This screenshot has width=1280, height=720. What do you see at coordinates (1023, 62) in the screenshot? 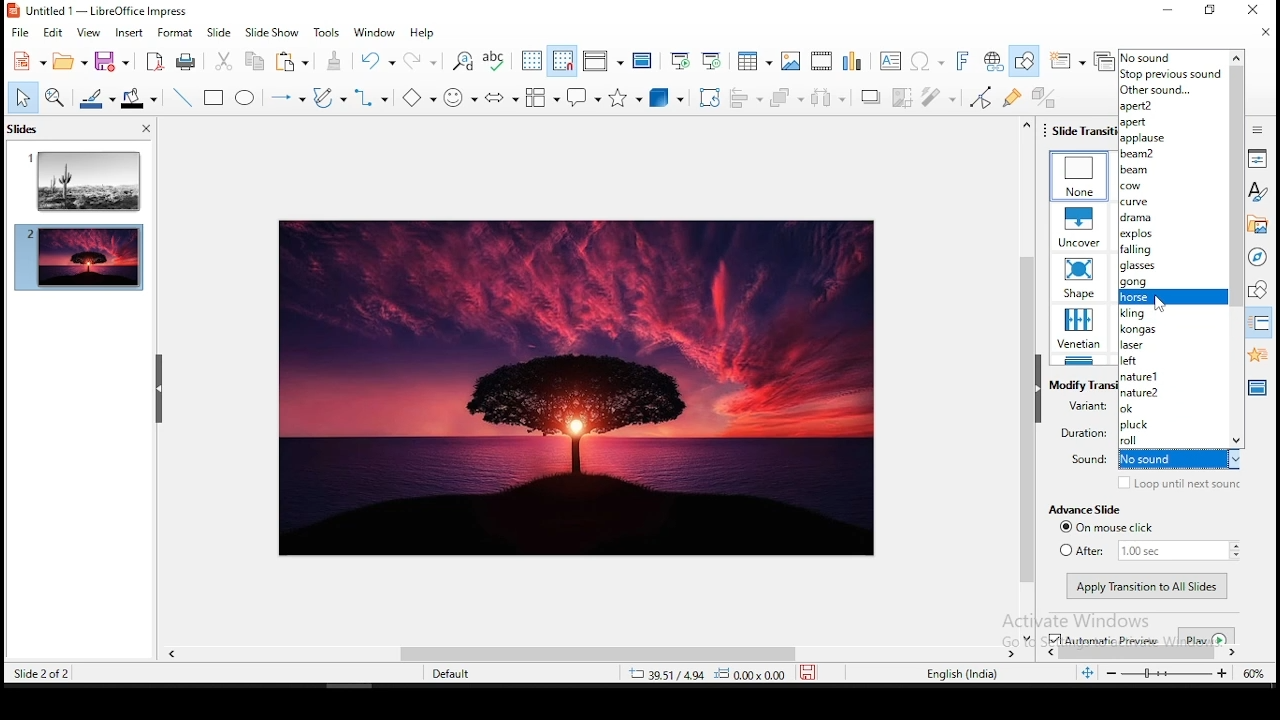
I see `show draw functions` at bounding box center [1023, 62].